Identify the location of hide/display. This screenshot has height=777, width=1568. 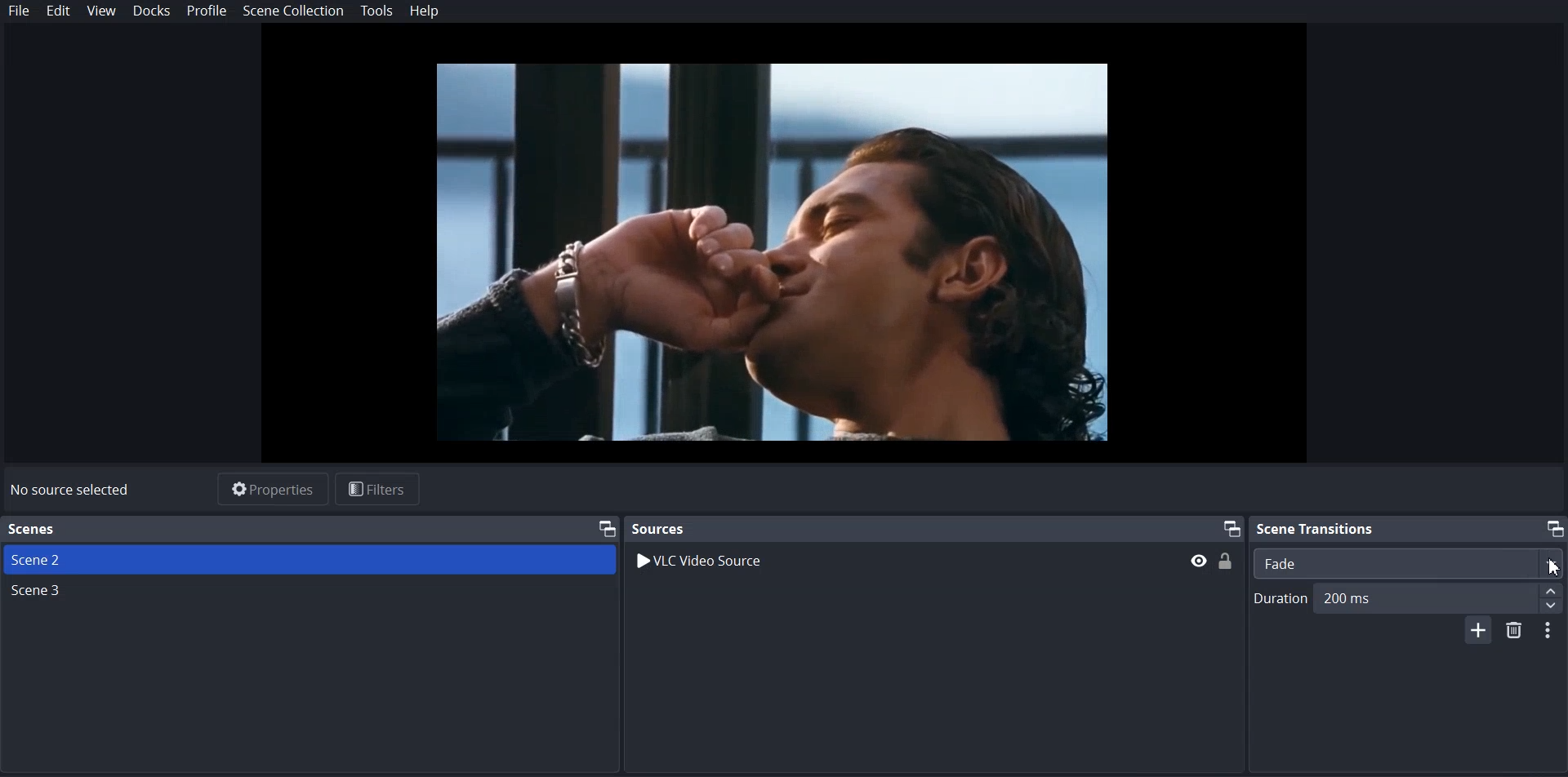
(1199, 561).